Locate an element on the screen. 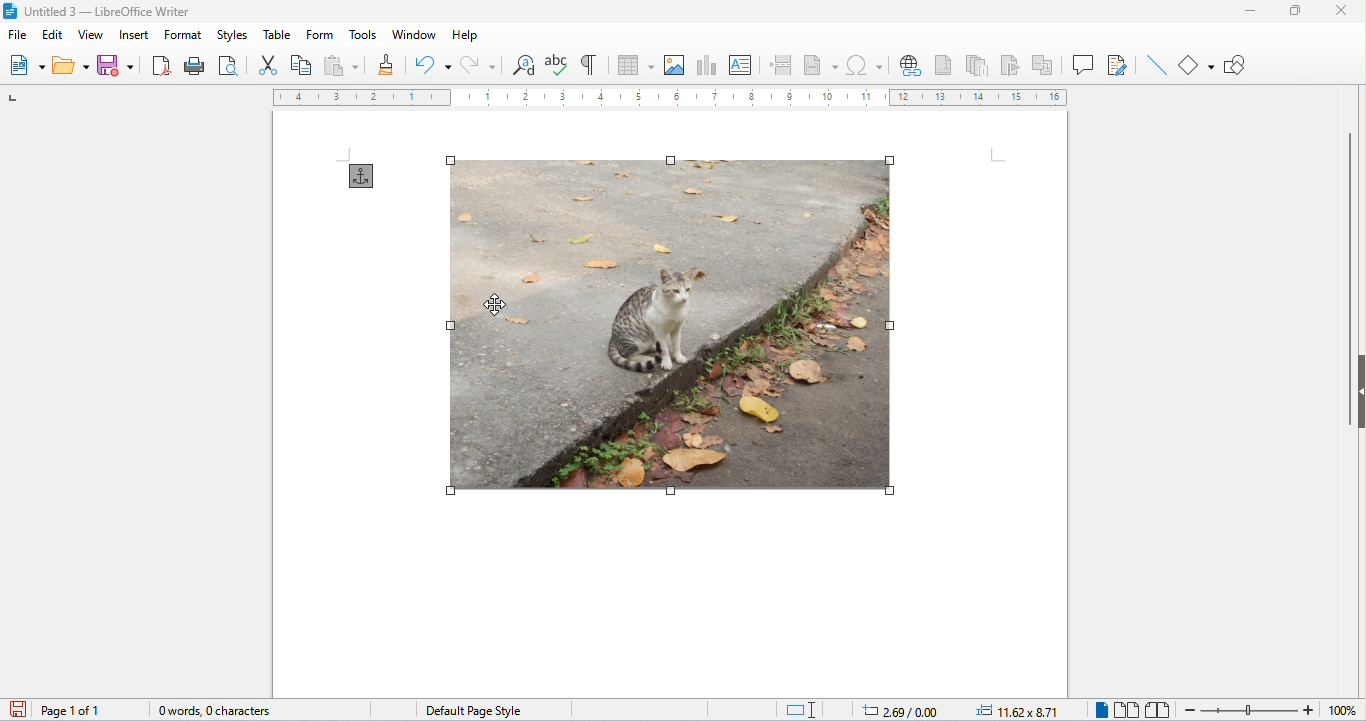 The image size is (1366, 722). print preview is located at coordinates (229, 65).